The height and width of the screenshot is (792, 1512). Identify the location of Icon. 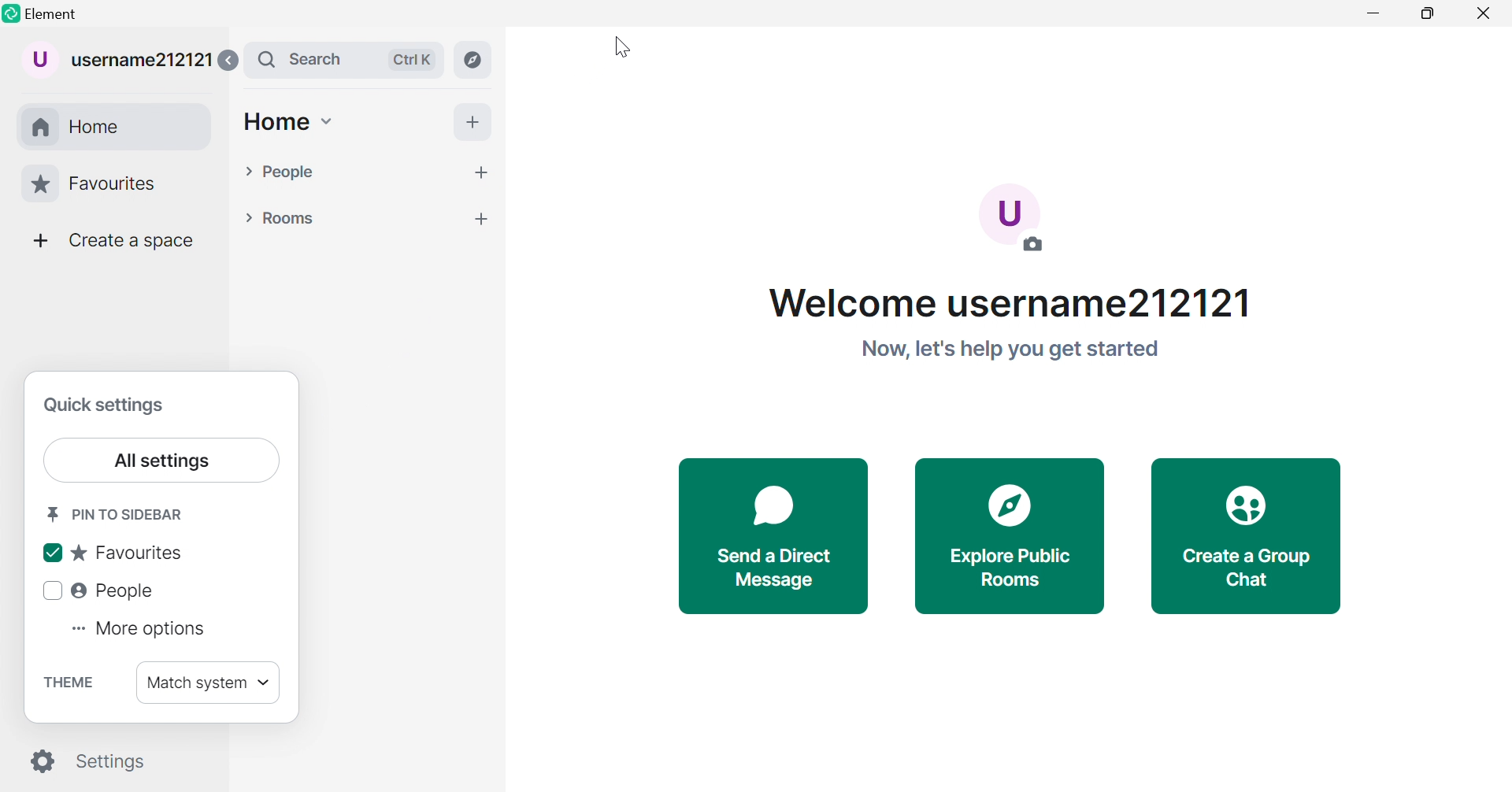
(1013, 503).